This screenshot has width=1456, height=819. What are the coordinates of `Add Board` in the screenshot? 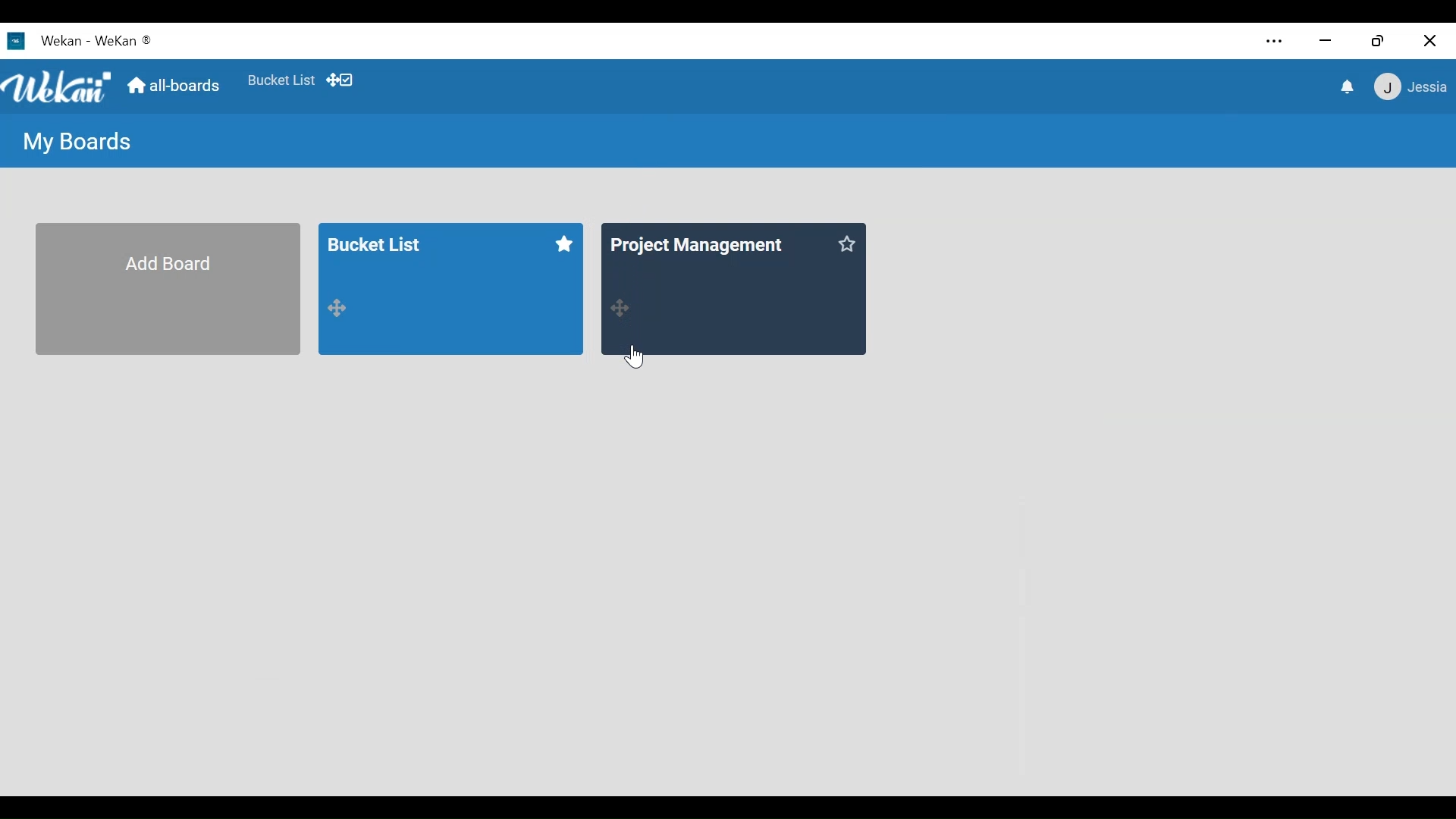 It's located at (167, 288).